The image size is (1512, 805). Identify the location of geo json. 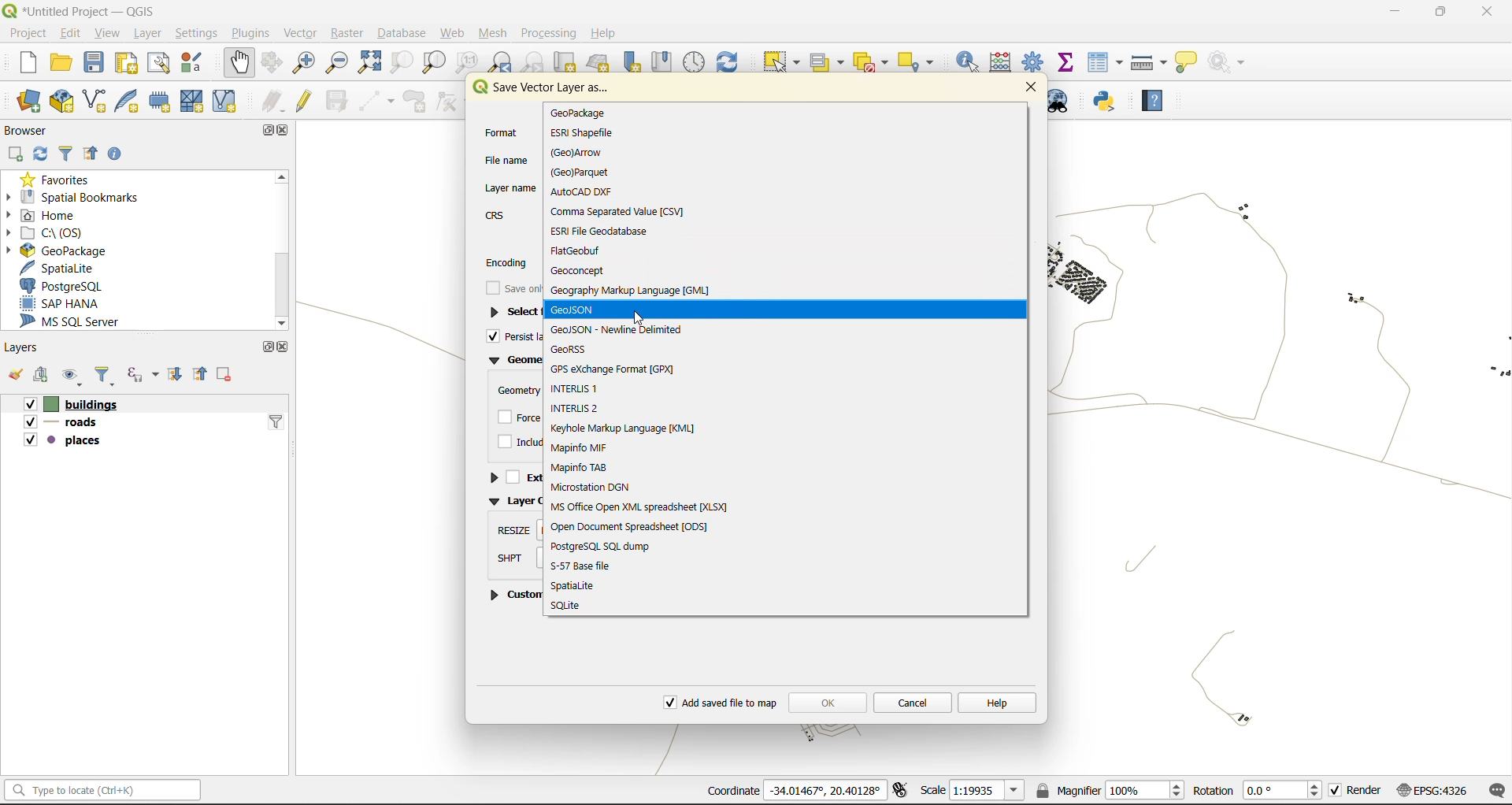
(573, 310).